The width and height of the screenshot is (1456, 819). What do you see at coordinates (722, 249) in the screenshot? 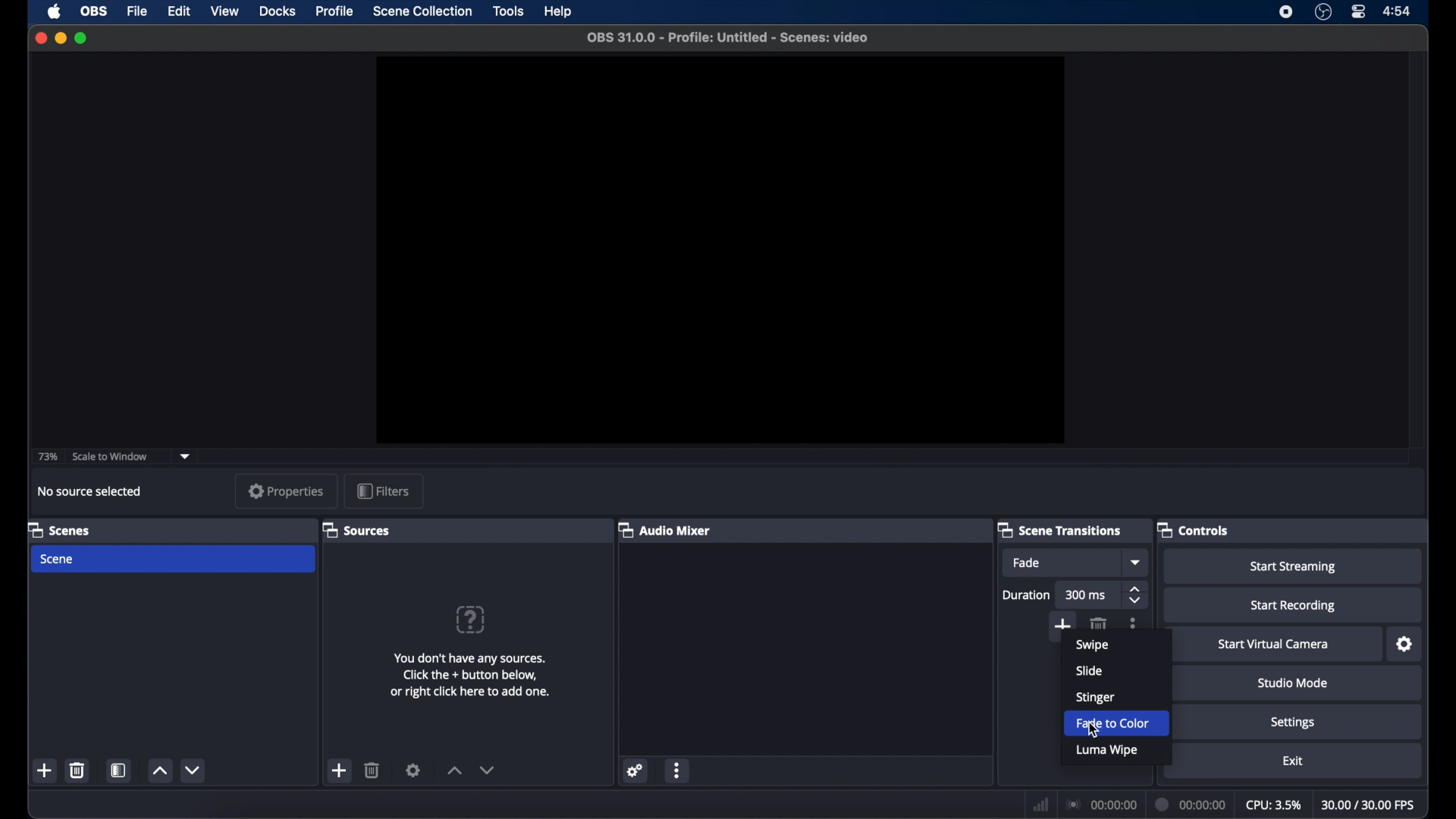
I see `preview` at bounding box center [722, 249].